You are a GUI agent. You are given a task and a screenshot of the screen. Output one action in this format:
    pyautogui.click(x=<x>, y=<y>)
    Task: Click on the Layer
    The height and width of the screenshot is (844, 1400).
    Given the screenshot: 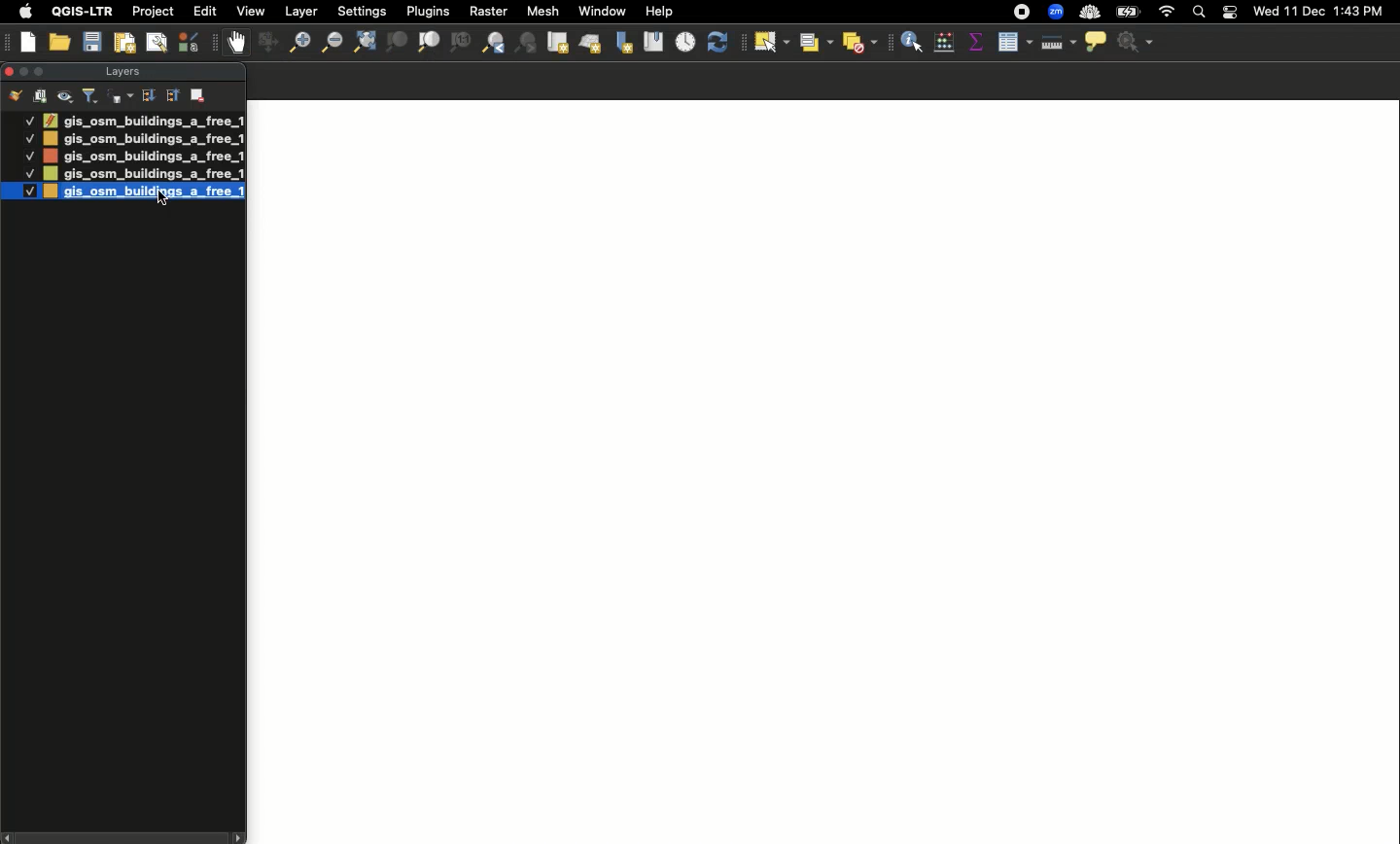 What is the action you would take?
    pyautogui.click(x=302, y=12)
    